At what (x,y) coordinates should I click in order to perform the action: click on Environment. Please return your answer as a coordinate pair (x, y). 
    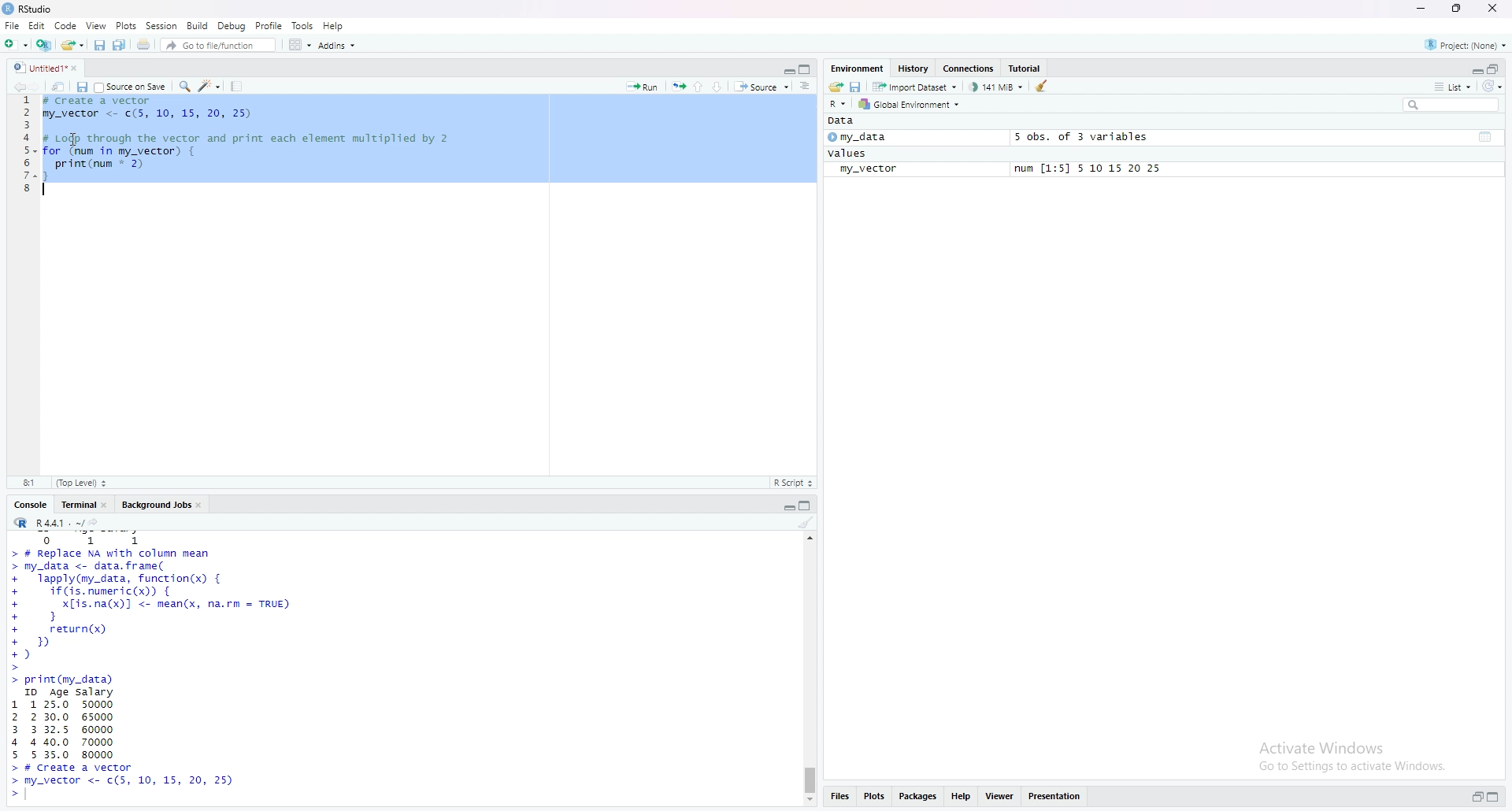
    Looking at the image, I should click on (858, 69).